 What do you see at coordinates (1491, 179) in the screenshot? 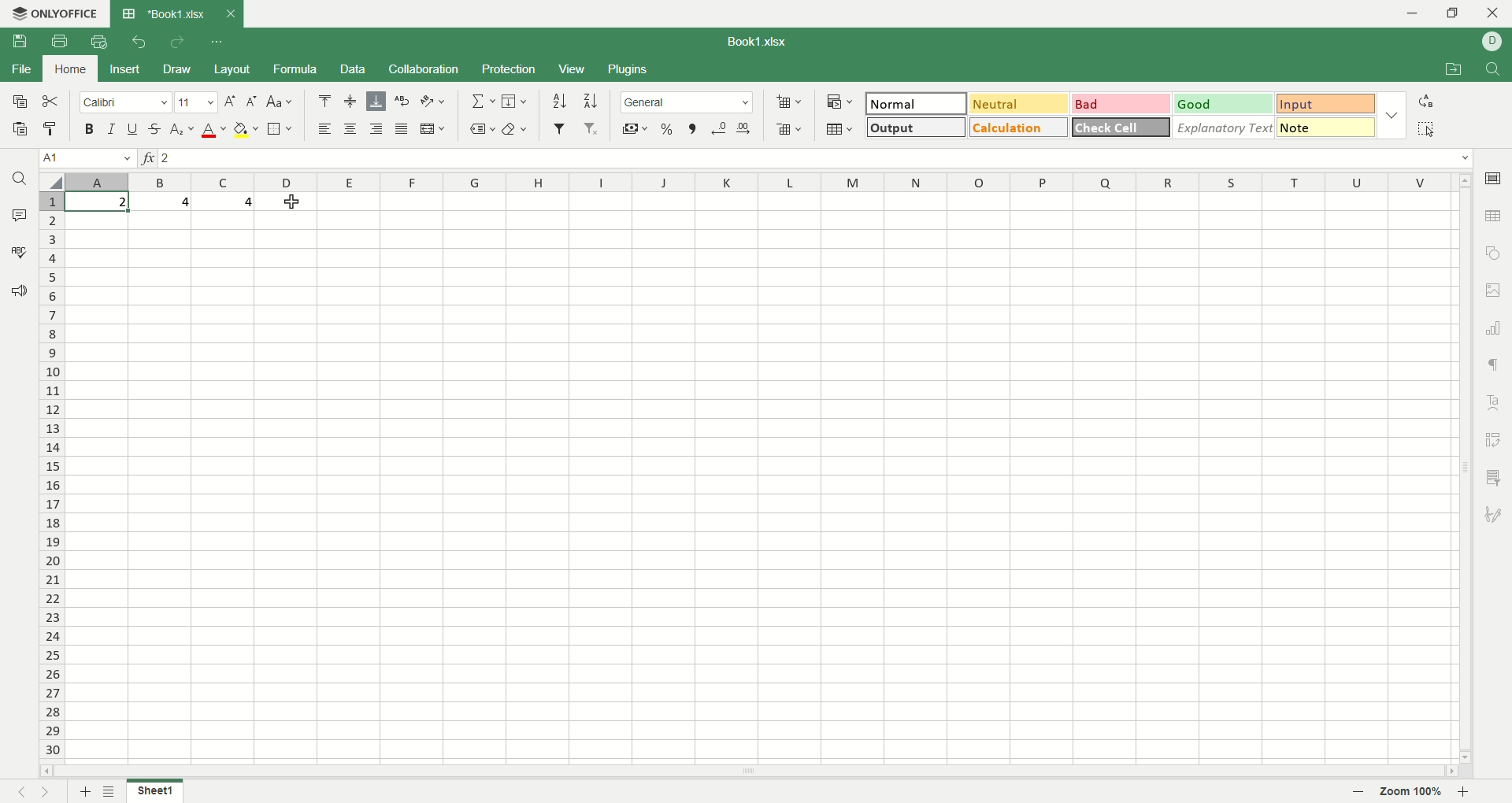
I see `cell settings` at bounding box center [1491, 179].